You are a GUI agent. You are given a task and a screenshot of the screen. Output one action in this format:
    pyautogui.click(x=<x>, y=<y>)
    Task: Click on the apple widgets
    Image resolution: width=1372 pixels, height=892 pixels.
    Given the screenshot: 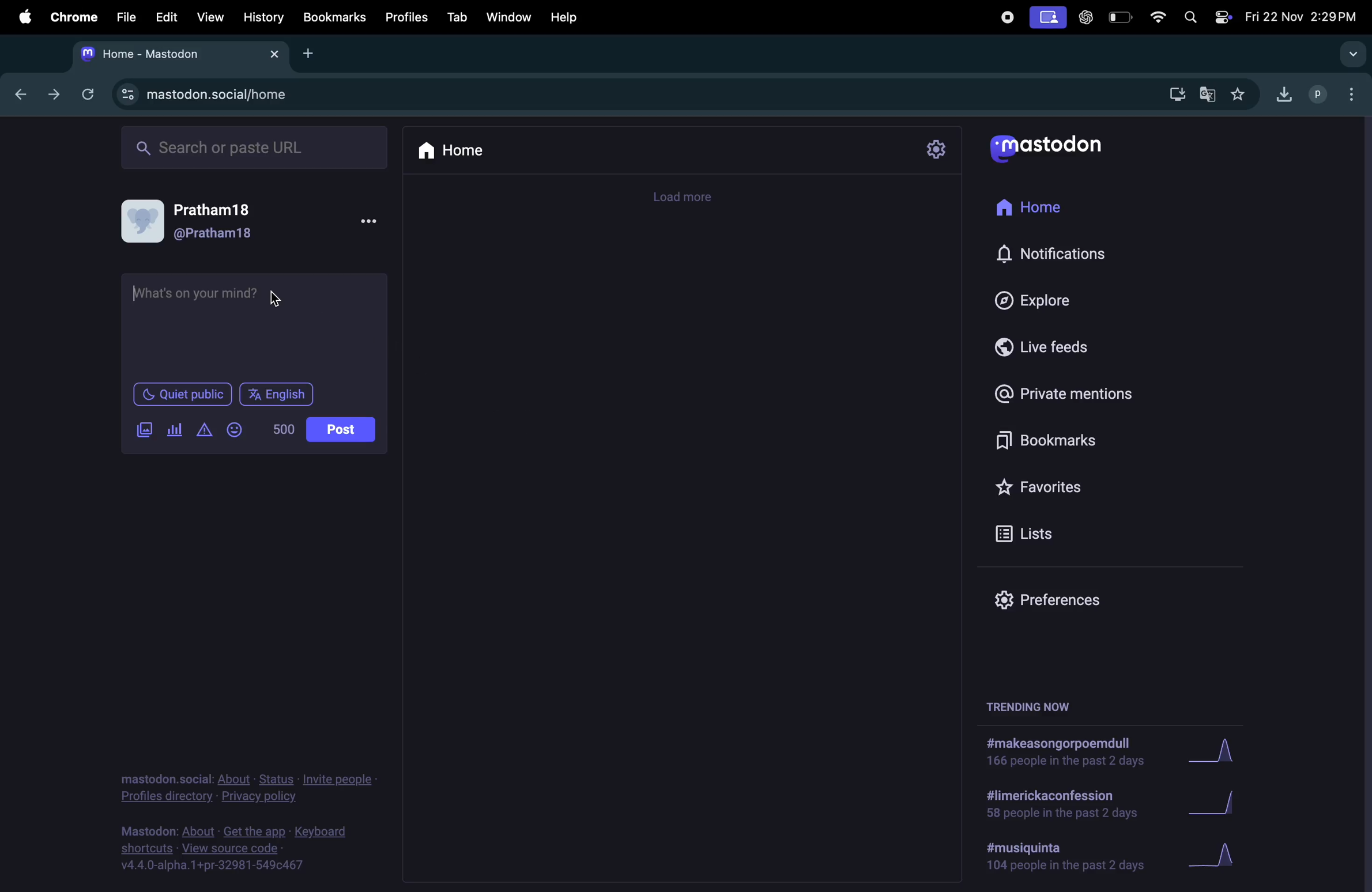 What is the action you would take?
    pyautogui.click(x=1208, y=17)
    